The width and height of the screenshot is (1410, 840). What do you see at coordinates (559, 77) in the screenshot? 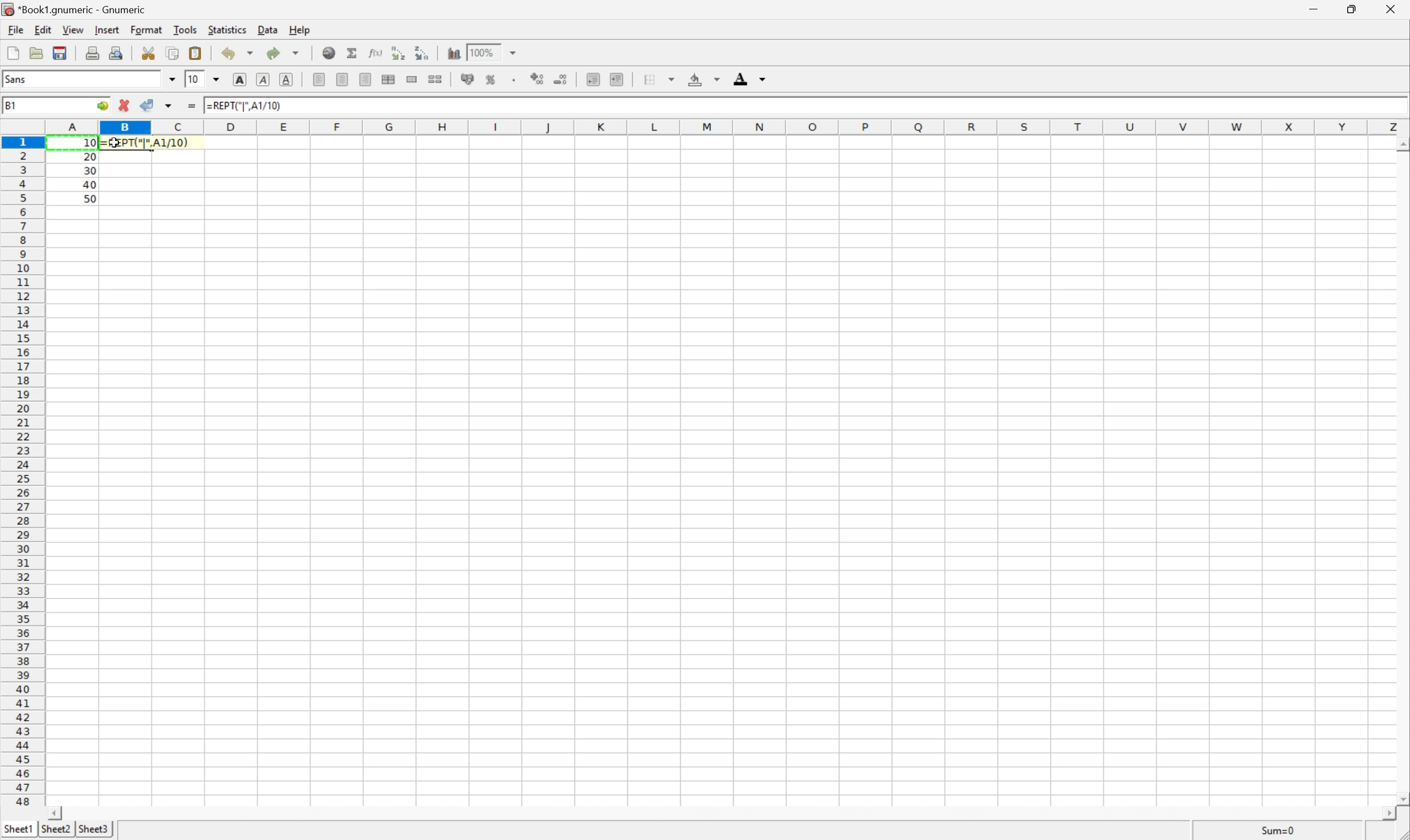
I see `Decrease the number of decimals displayed` at bounding box center [559, 77].